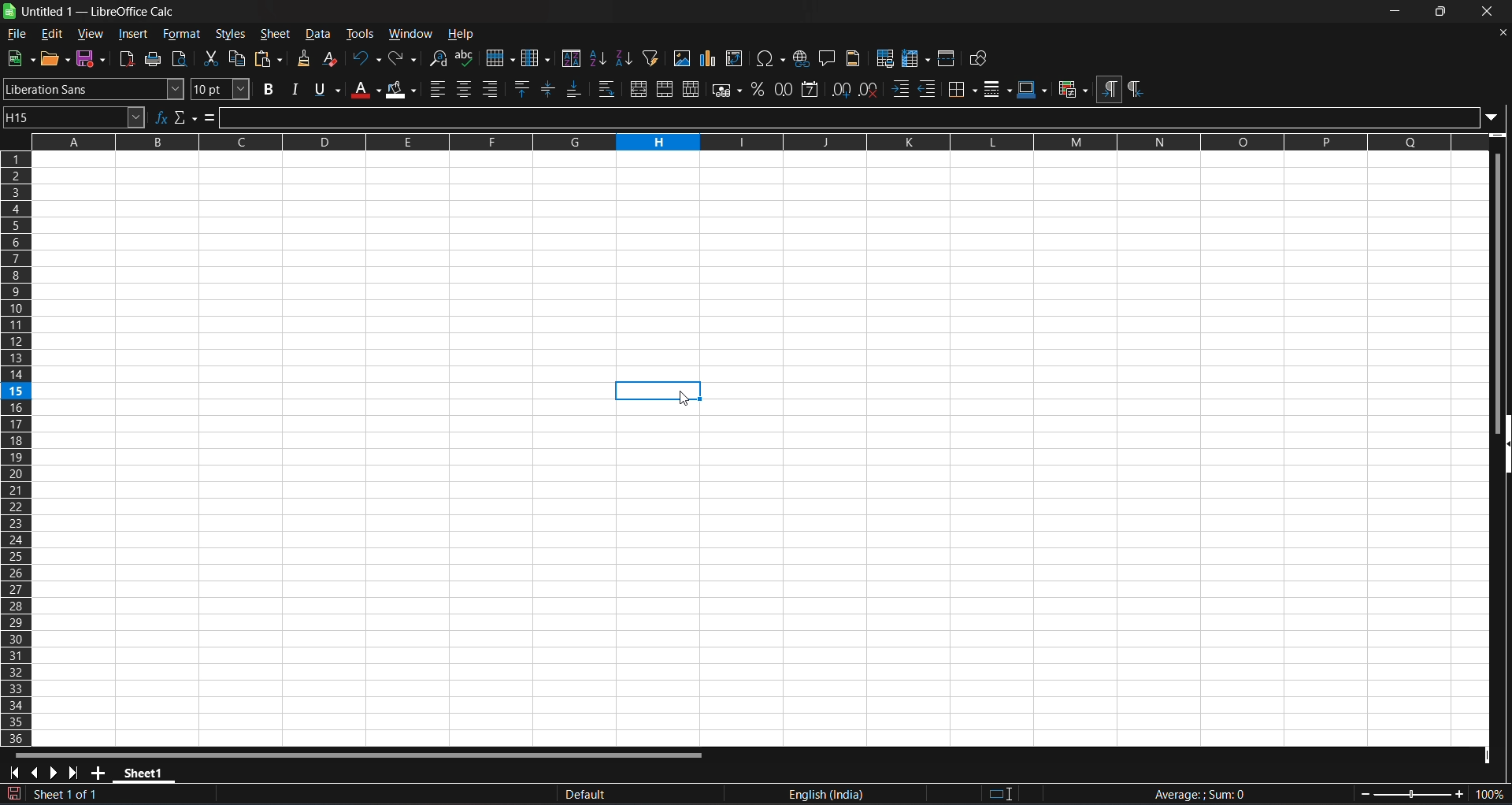 This screenshot has width=1512, height=805. What do you see at coordinates (1495, 281) in the screenshot?
I see `vertical scroll bar` at bounding box center [1495, 281].